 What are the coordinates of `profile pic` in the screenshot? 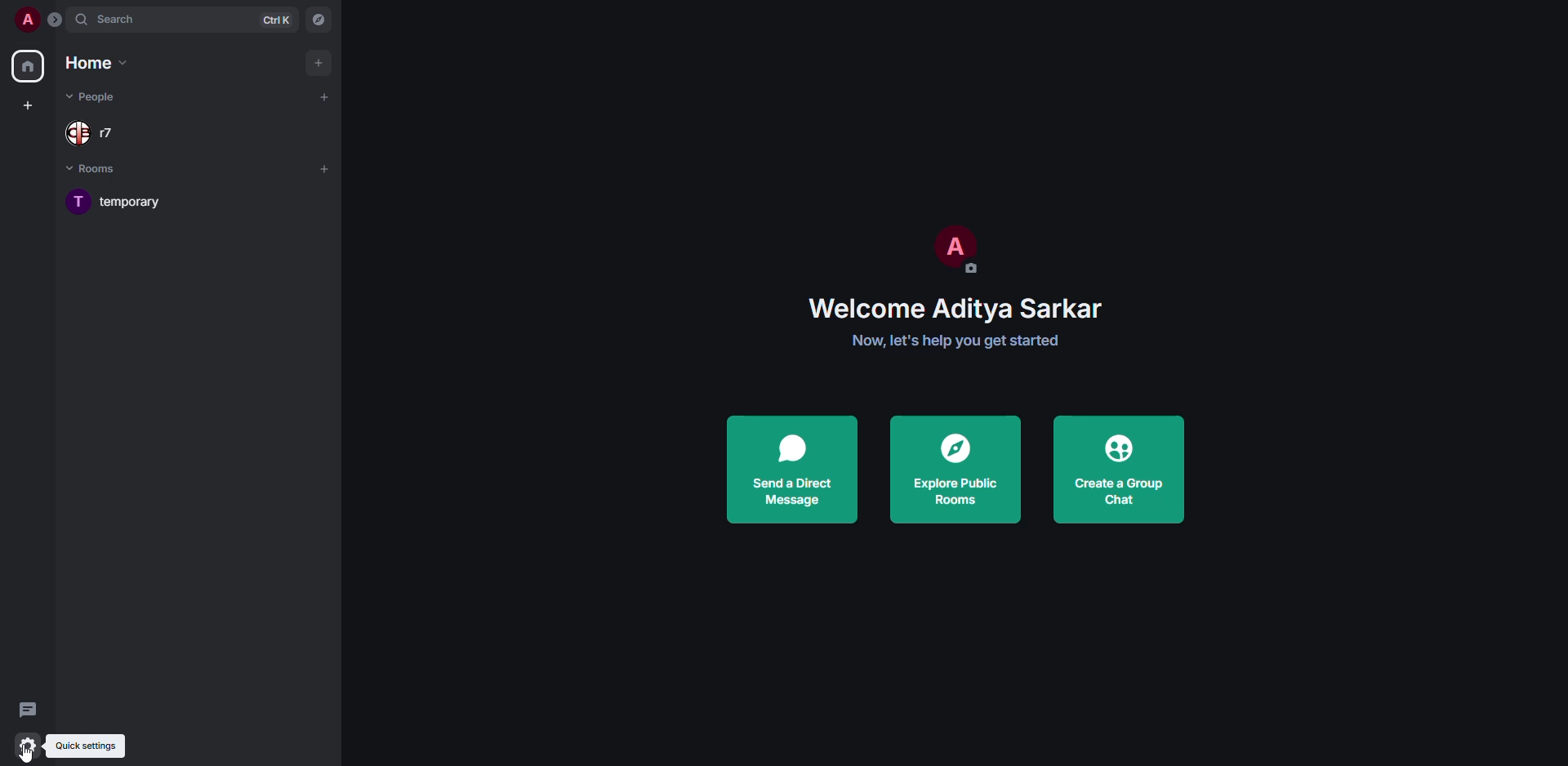 It's located at (951, 247).